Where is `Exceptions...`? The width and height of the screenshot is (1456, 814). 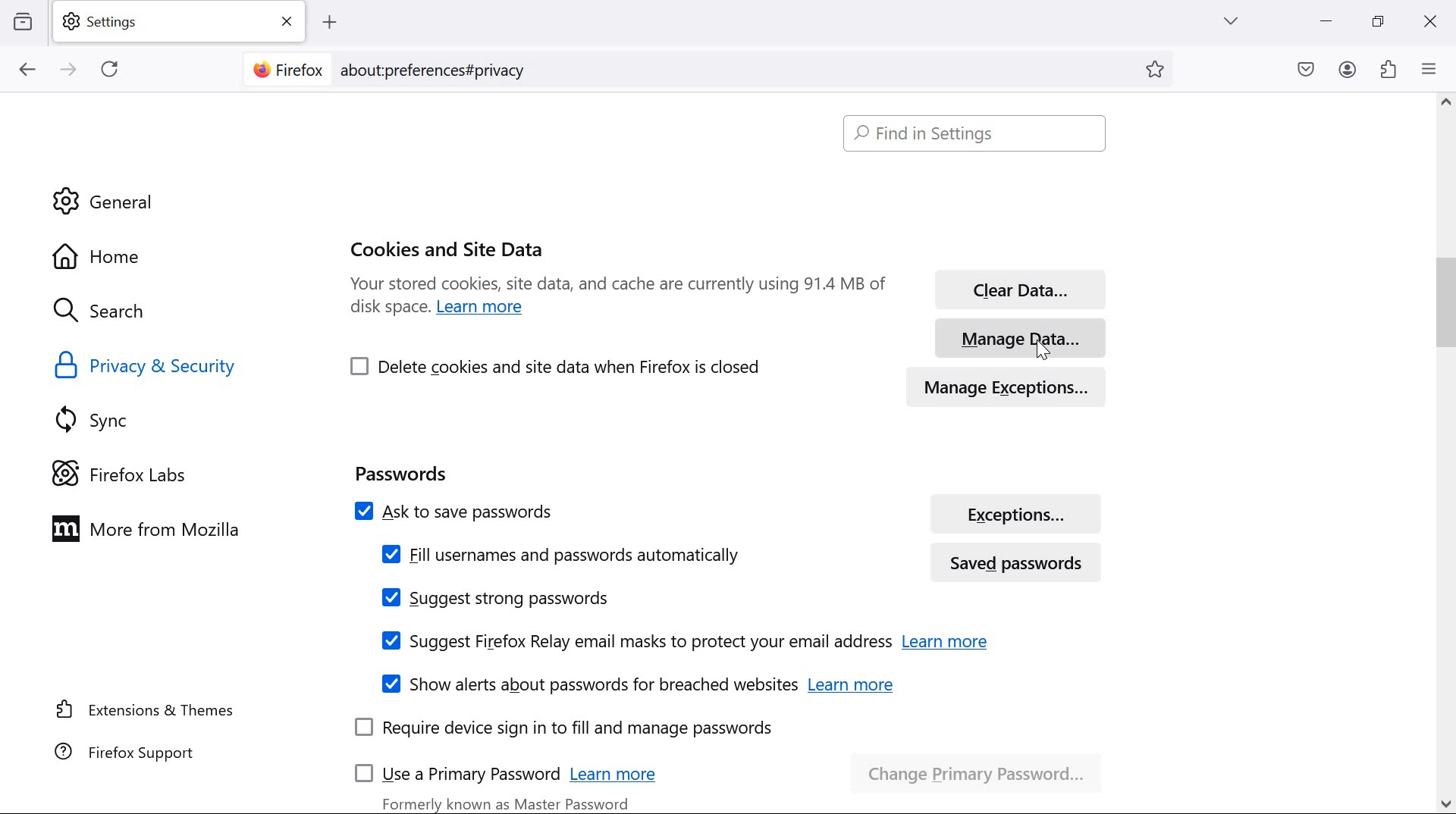 Exceptions... is located at coordinates (1018, 513).